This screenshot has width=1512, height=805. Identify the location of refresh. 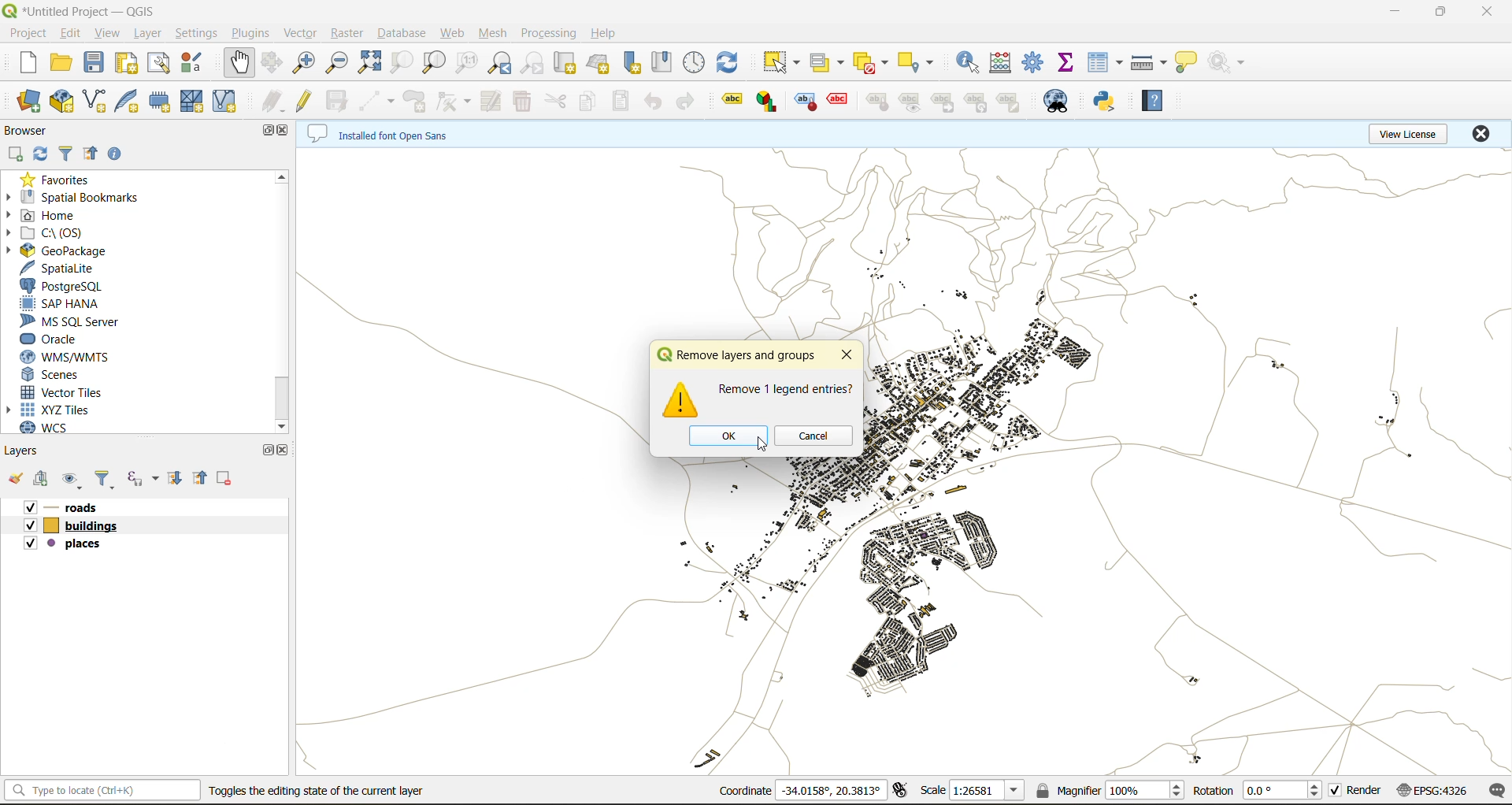
(41, 156).